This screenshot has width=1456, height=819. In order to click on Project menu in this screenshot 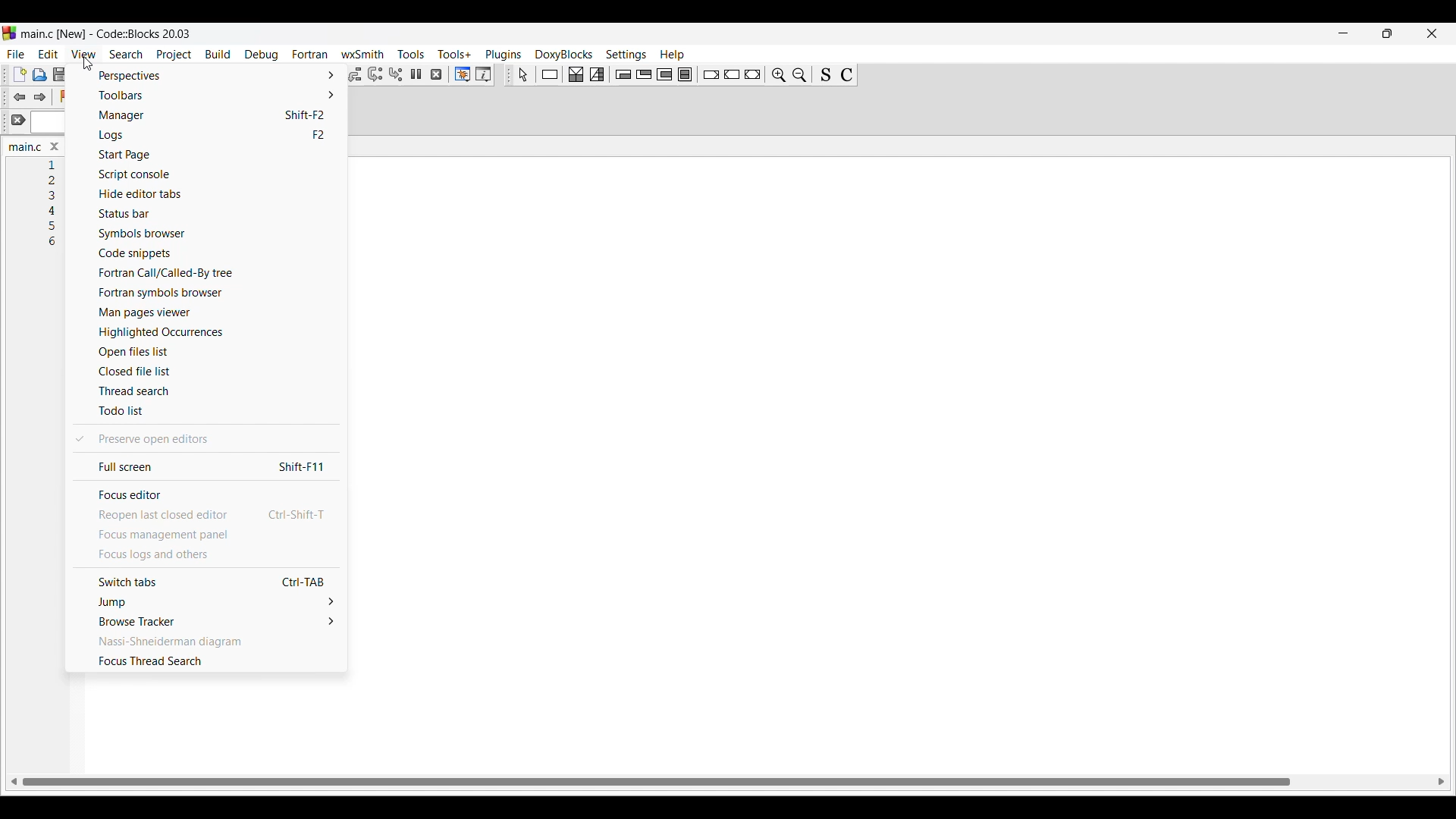, I will do `click(174, 55)`.